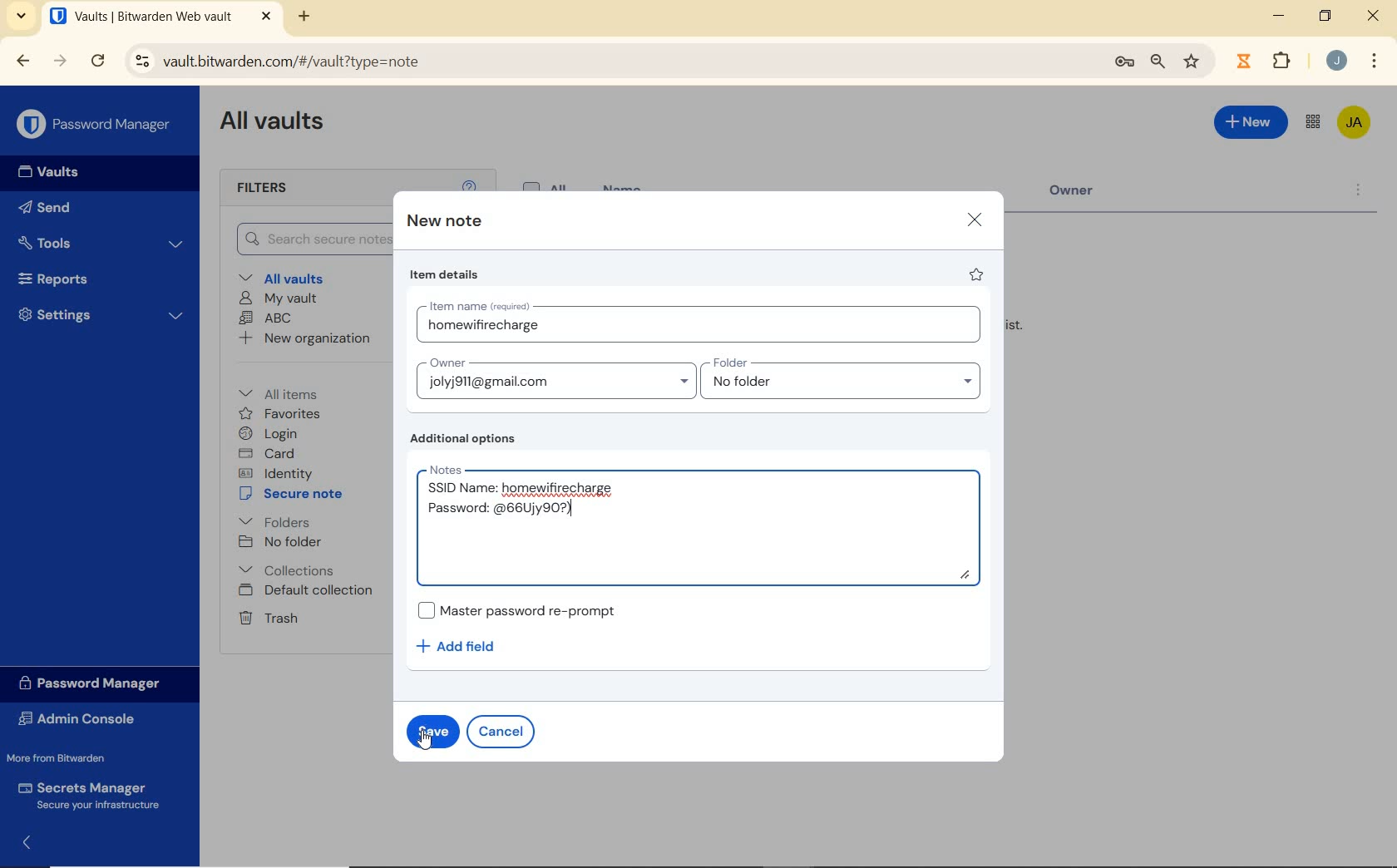 This screenshot has width=1397, height=868. I want to click on Owner, so click(555, 377).